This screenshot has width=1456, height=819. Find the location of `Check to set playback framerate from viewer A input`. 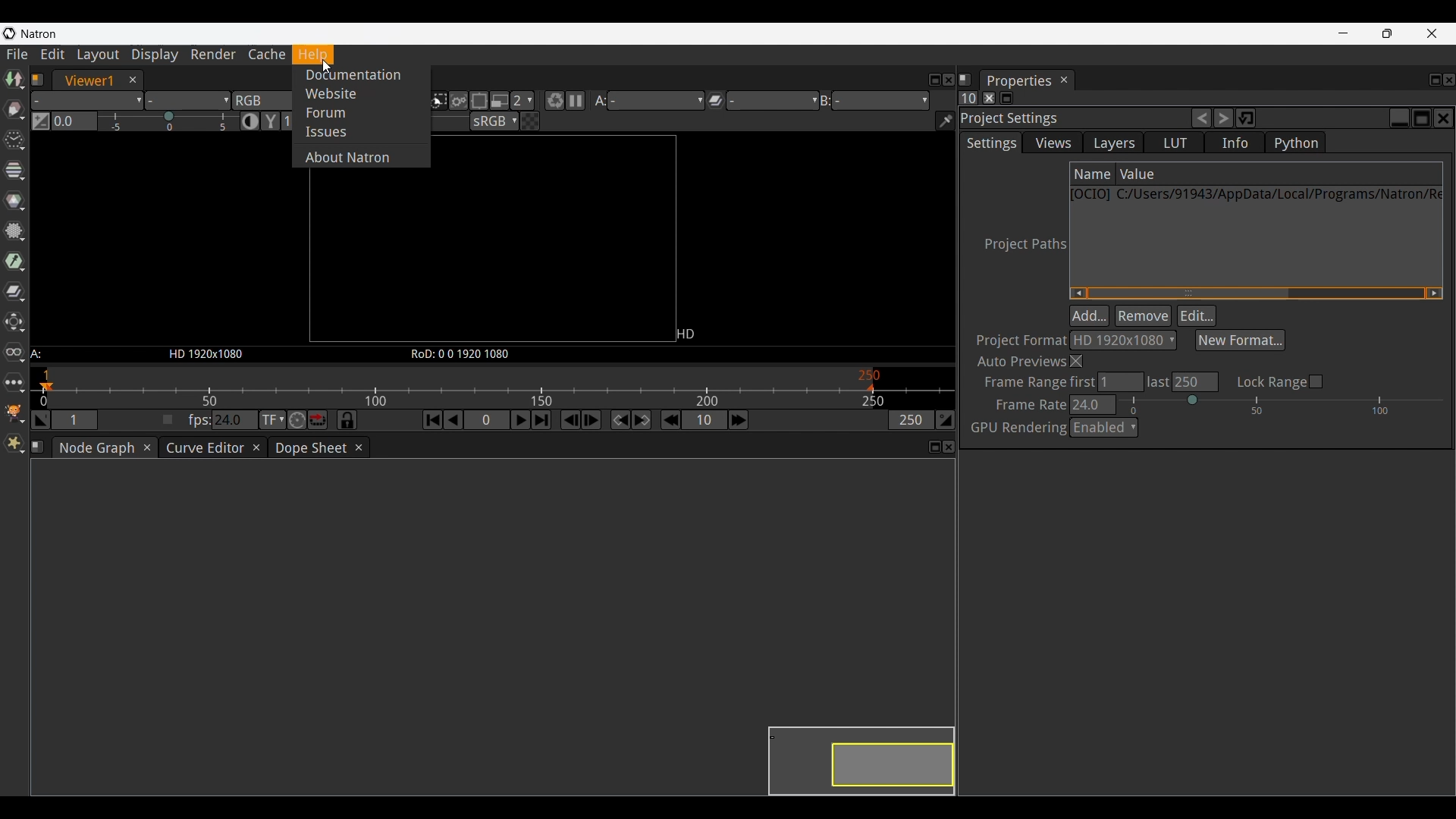

Check to set playback framerate from viewer A input is located at coordinates (168, 419).